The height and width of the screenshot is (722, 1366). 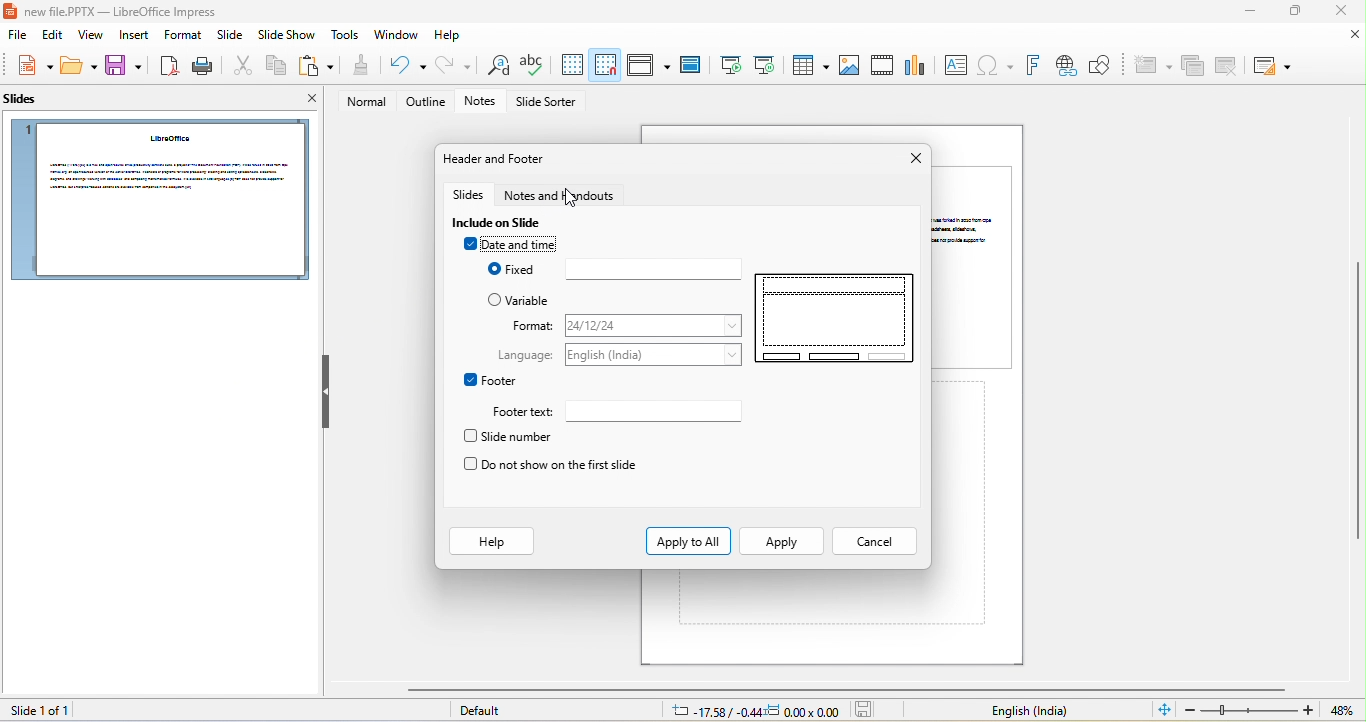 I want to click on start from first slide, so click(x=729, y=65).